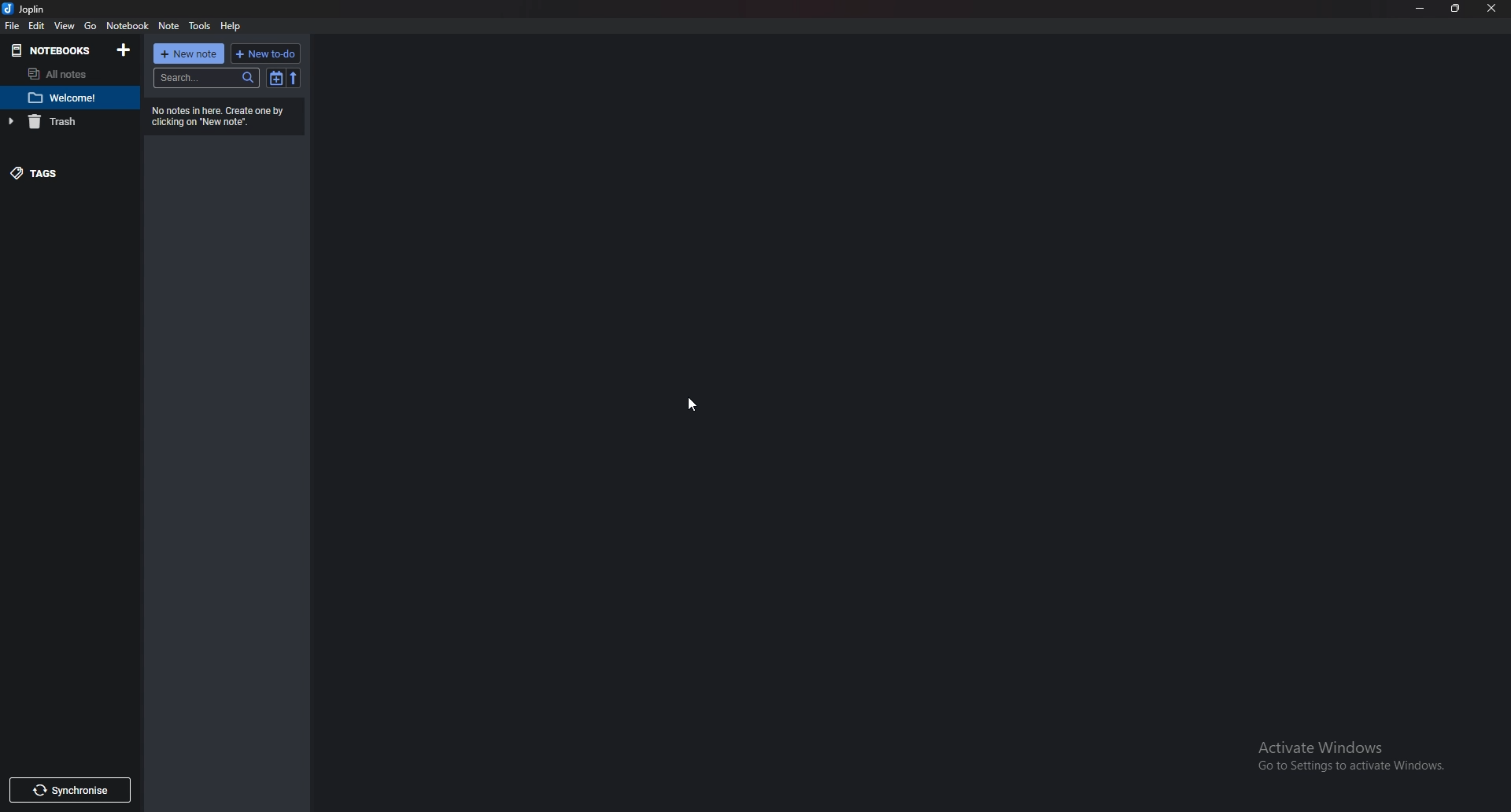  I want to click on note, so click(169, 25).